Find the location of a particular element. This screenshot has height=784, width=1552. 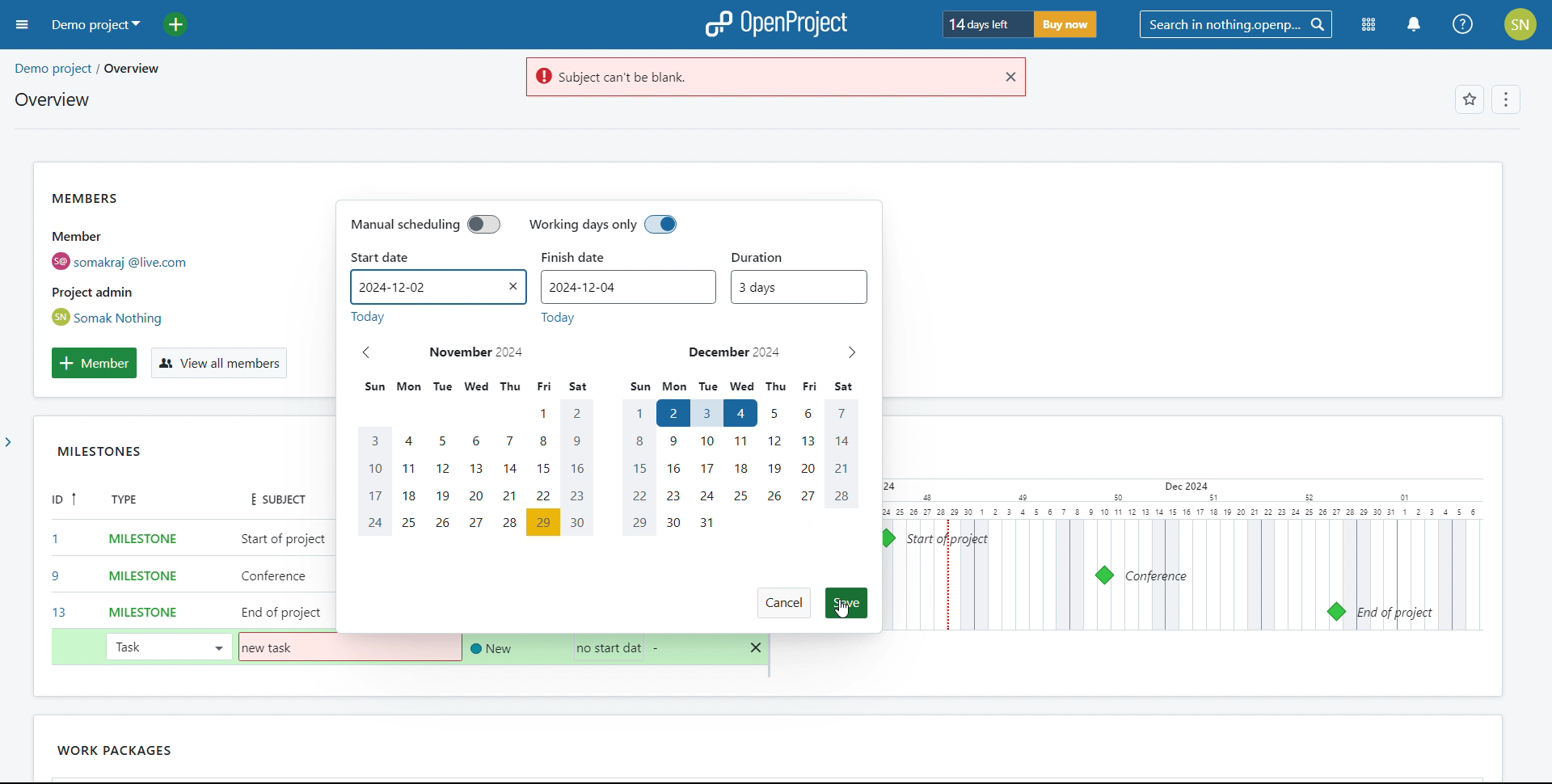

start date is located at coordinates (382, 258).